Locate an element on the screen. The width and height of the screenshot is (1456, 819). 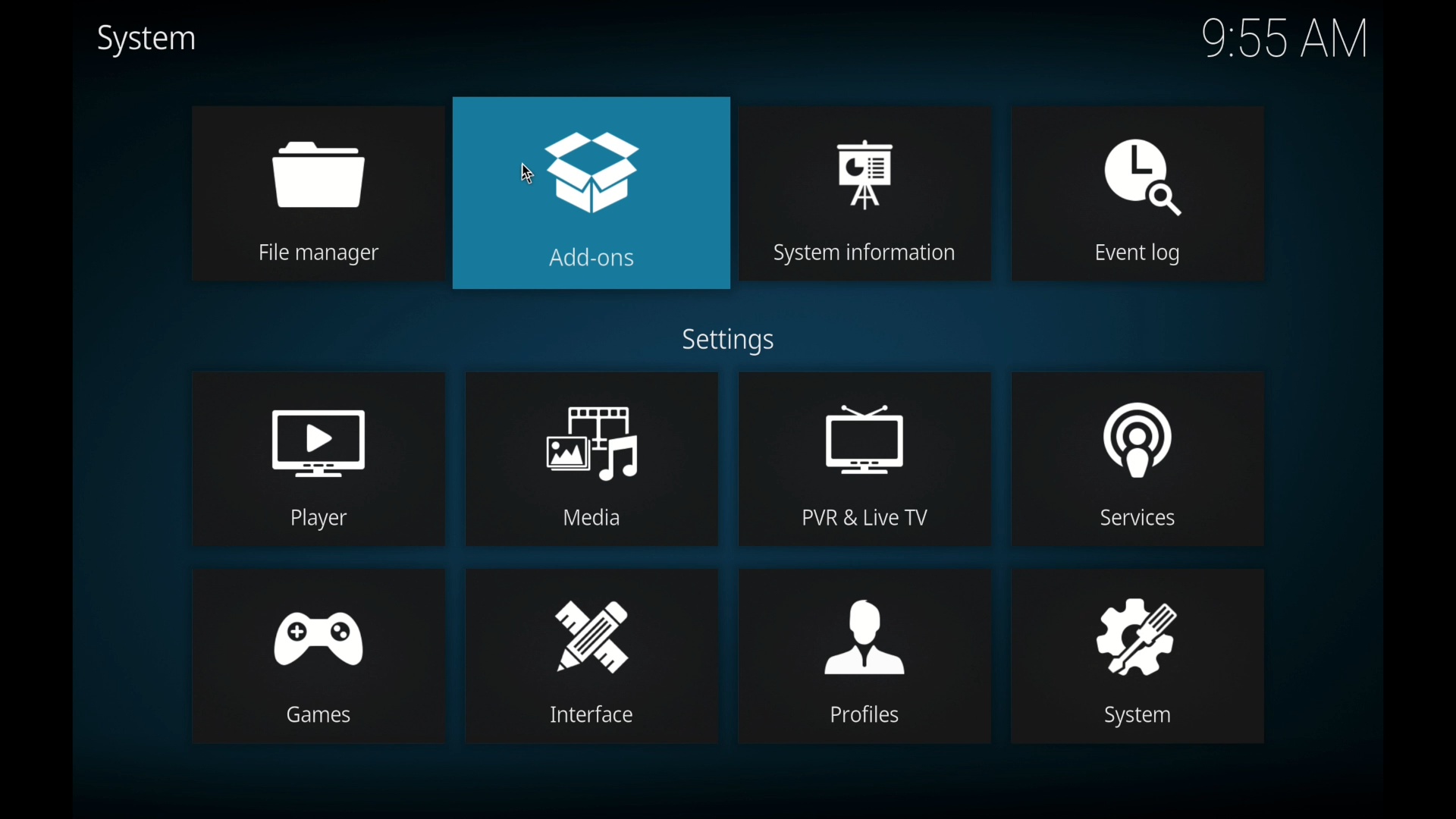
profiles is located at coordinates (864, 657).